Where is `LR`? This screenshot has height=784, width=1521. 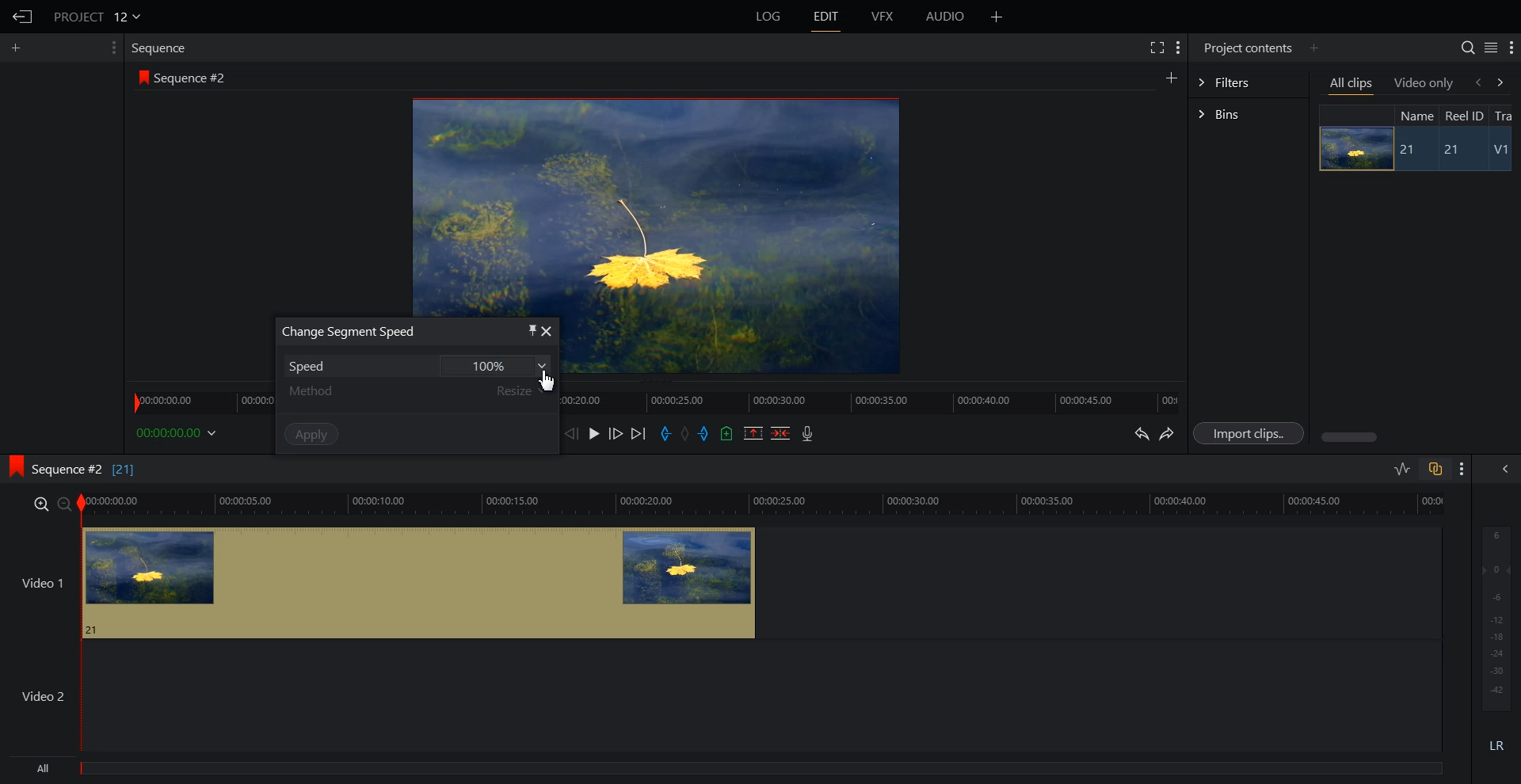 LR is located at coordinates (1497, 743).